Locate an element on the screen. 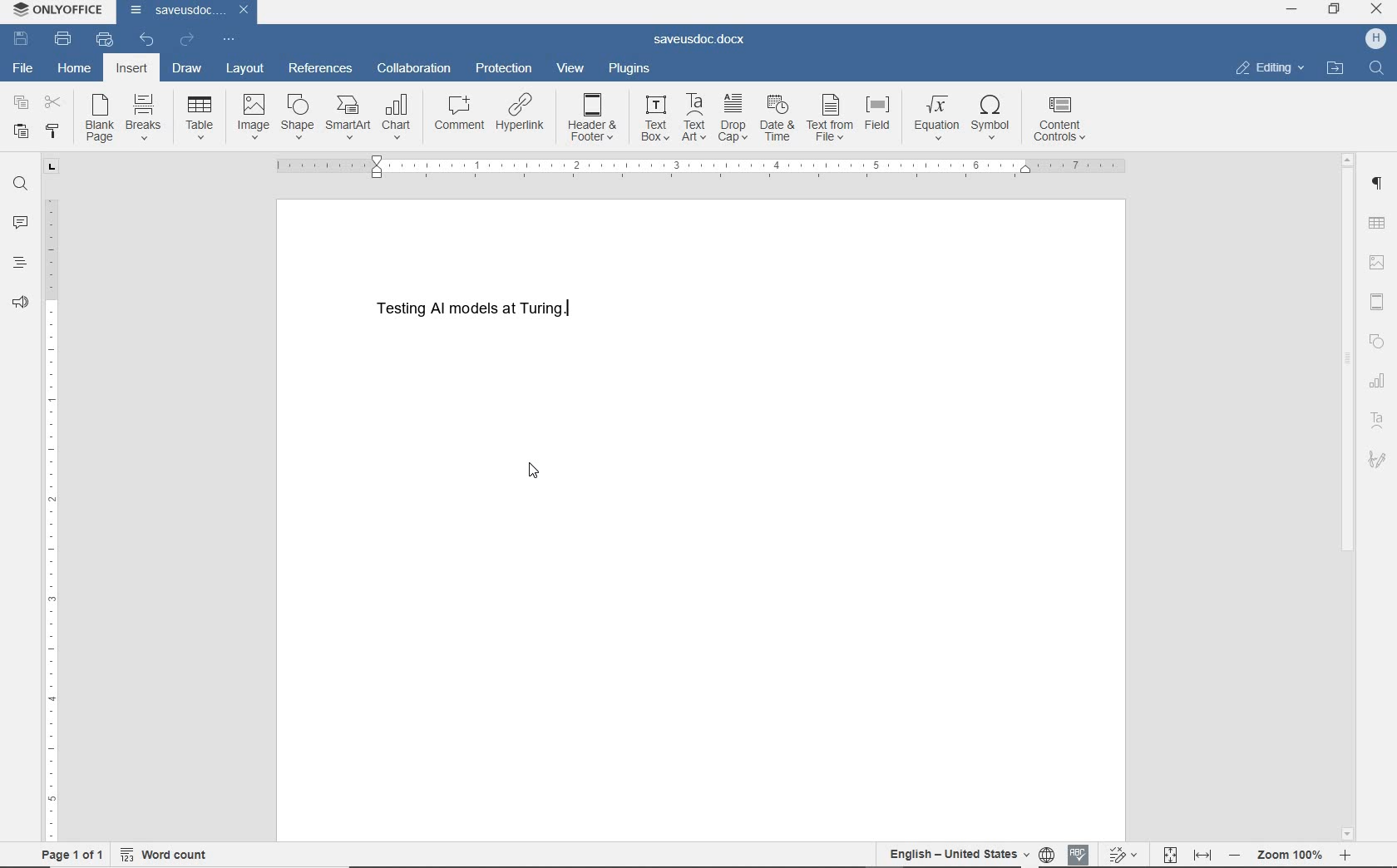 This screenshot has width=1397, height=868. signature is located at coordinates (1380, 460).